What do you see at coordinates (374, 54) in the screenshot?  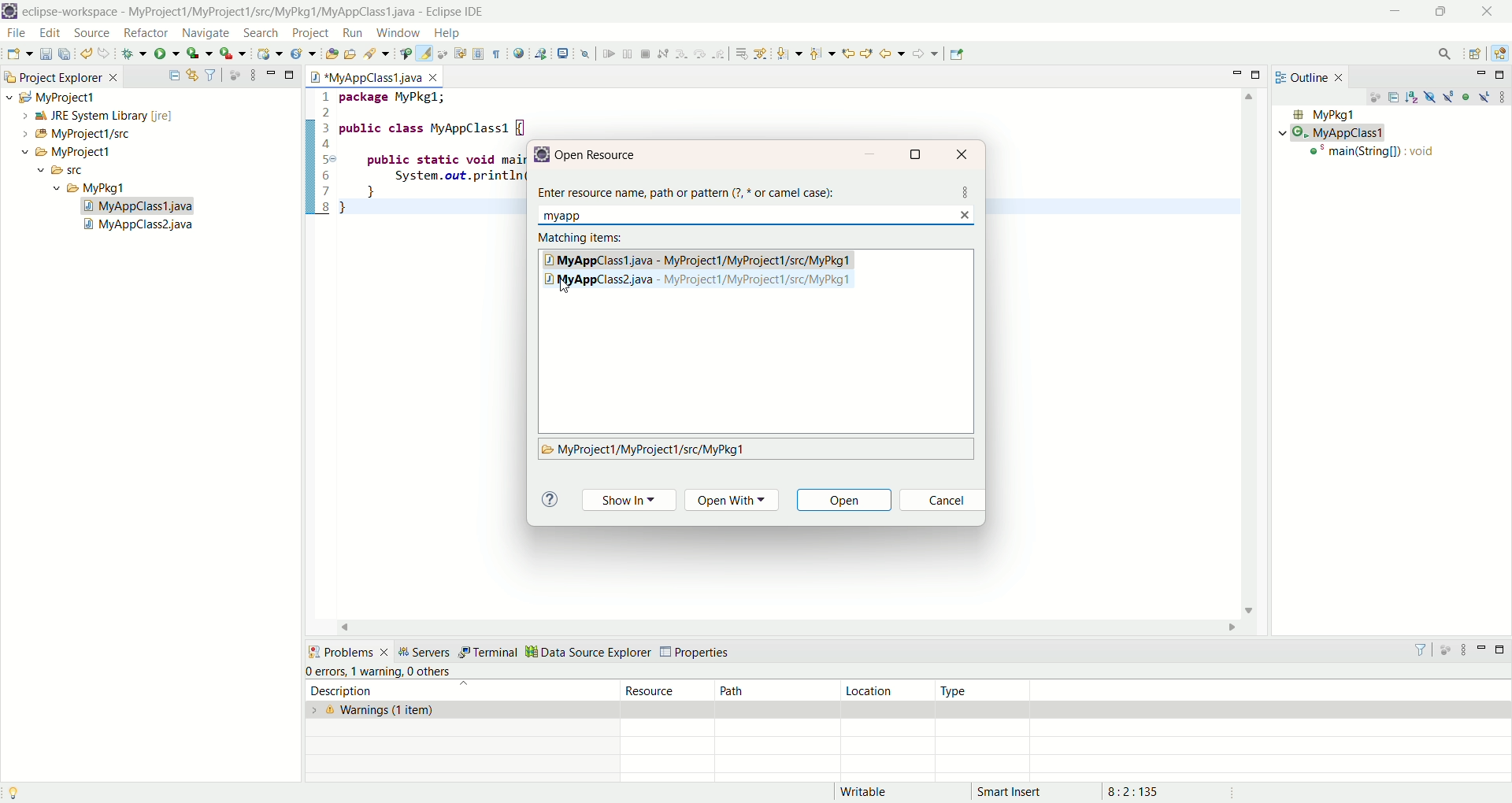 I see `search` at bounding box center [374, 54].